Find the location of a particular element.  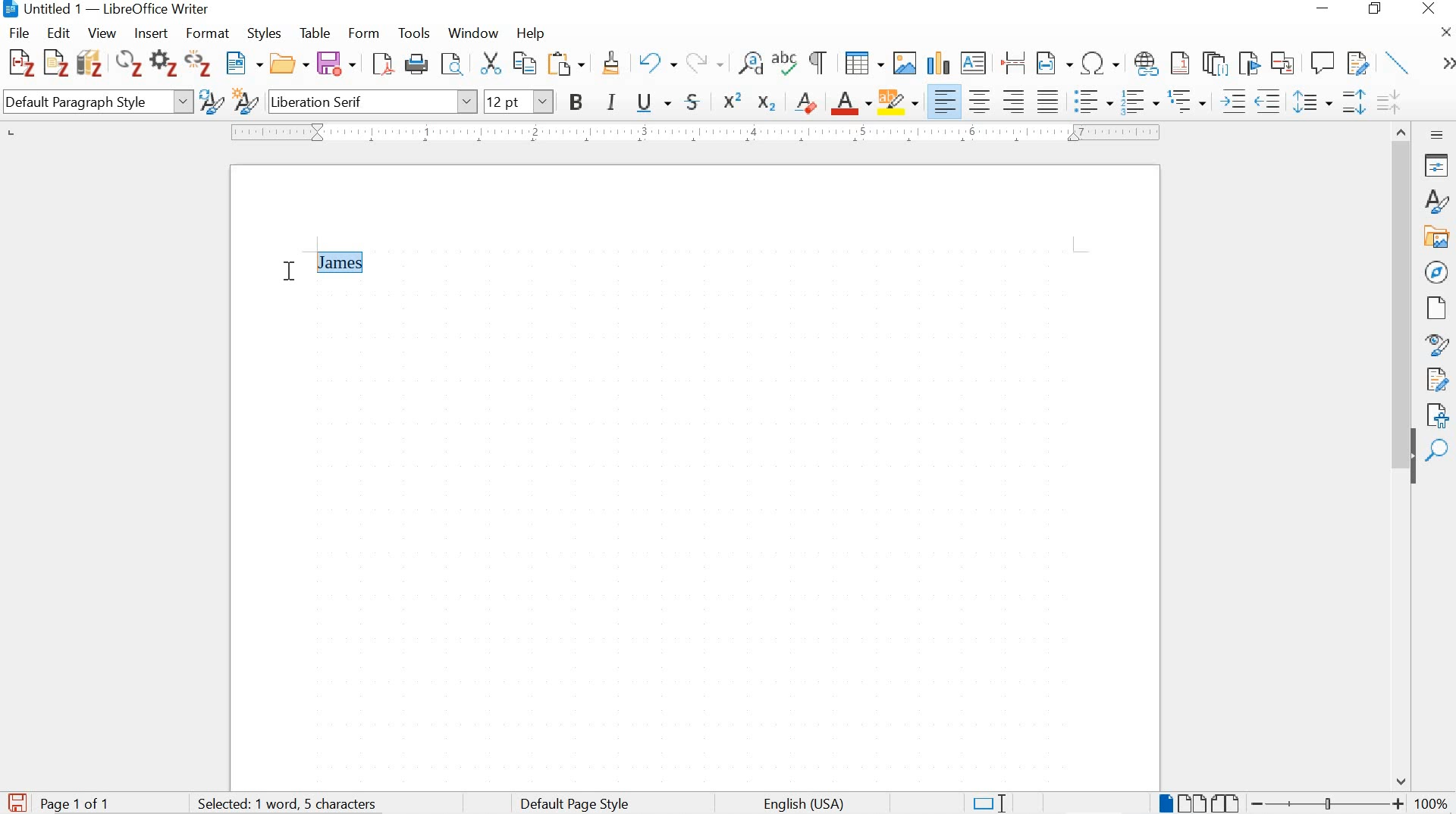

toggle ordered list is located at coordinates (1138, 102).